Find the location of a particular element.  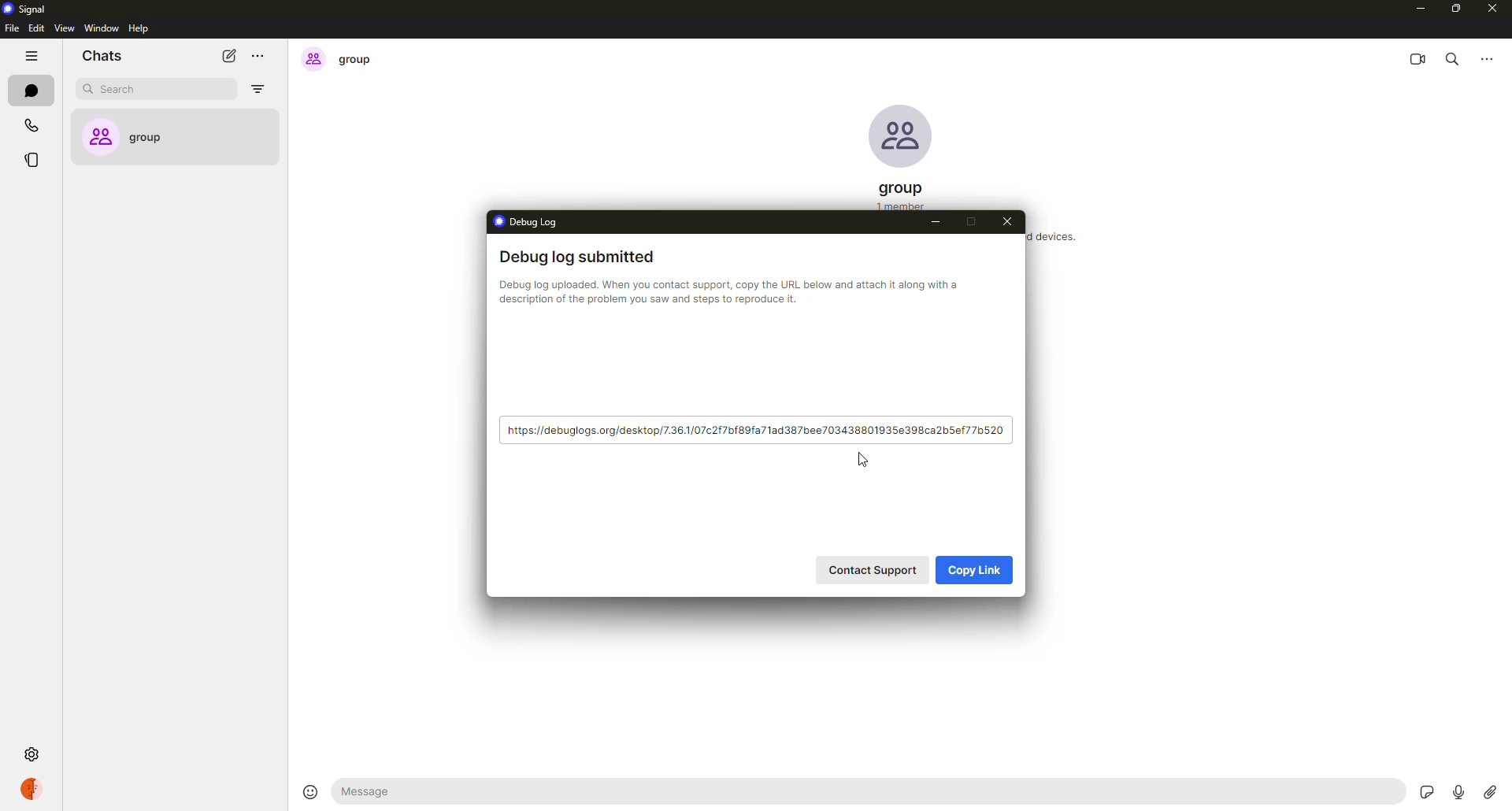

stickers is located at coordinates (1429, 791).